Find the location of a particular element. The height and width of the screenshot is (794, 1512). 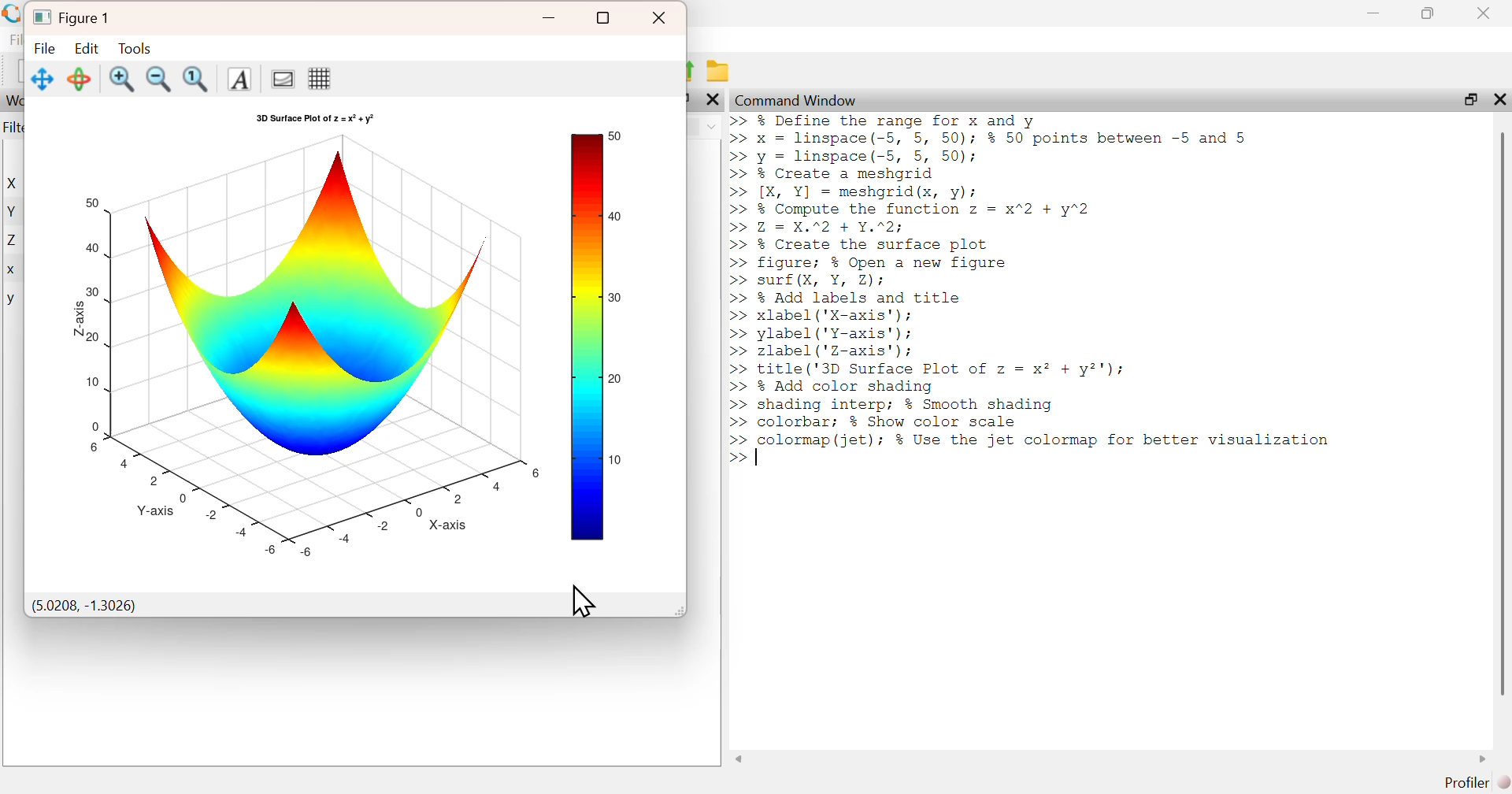

cursor is located at coordinates (583, 600).